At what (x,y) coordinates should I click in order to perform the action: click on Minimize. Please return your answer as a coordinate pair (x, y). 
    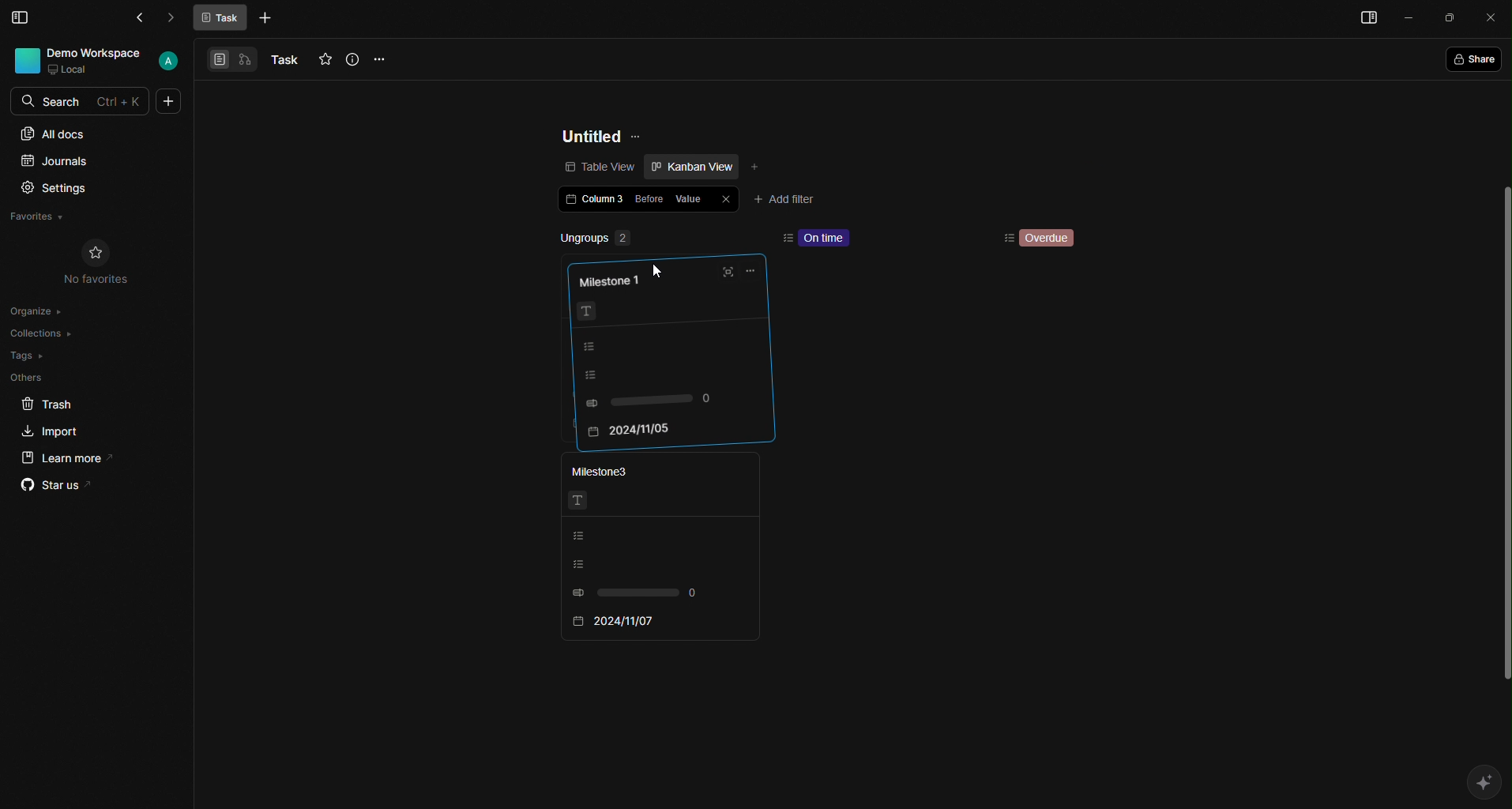
    Looking at the image, I should click on (1411, 16).